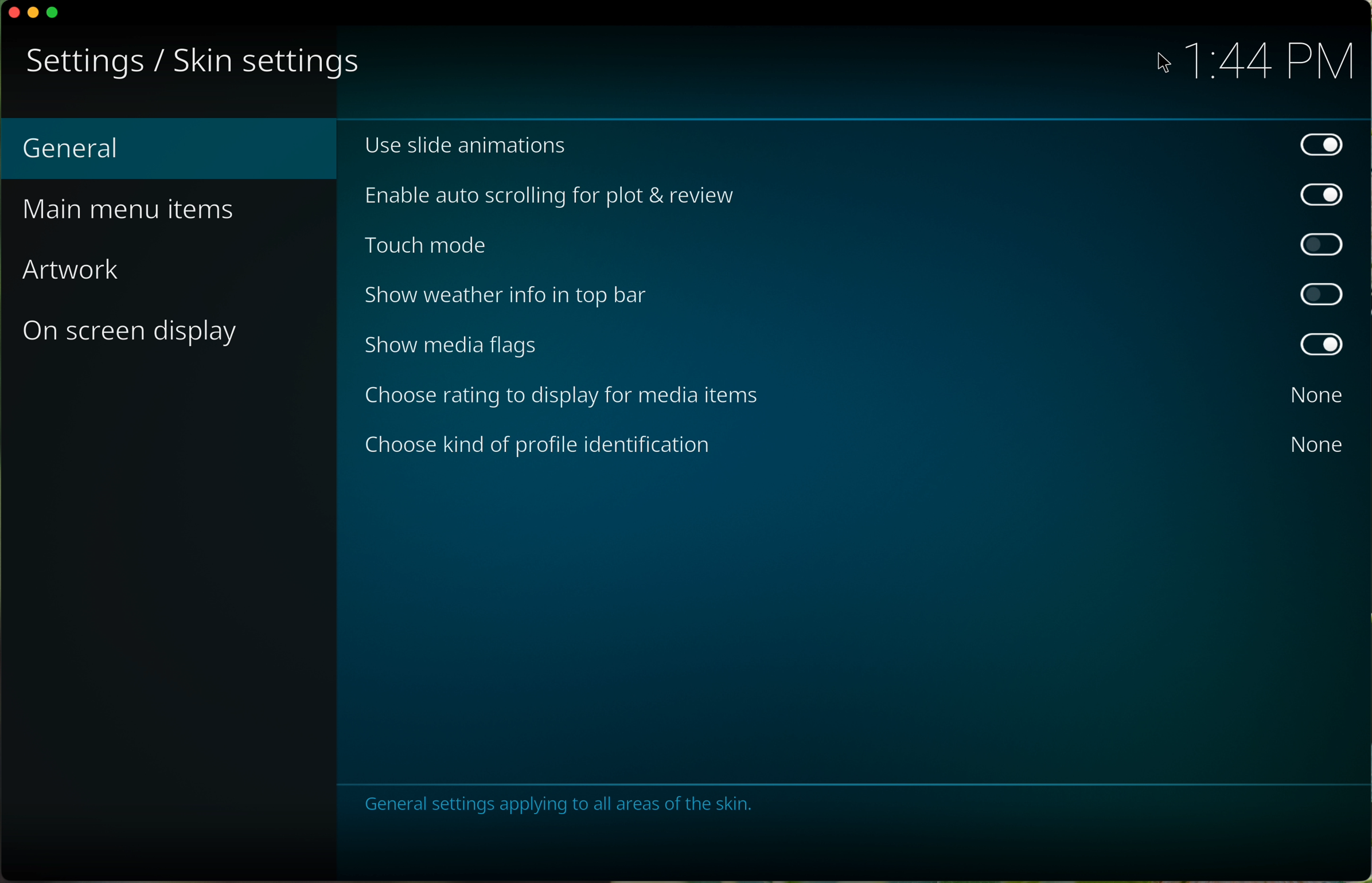 The height and width of the screenshot is (883, 1372). I want to click on General, so click(172, 149).